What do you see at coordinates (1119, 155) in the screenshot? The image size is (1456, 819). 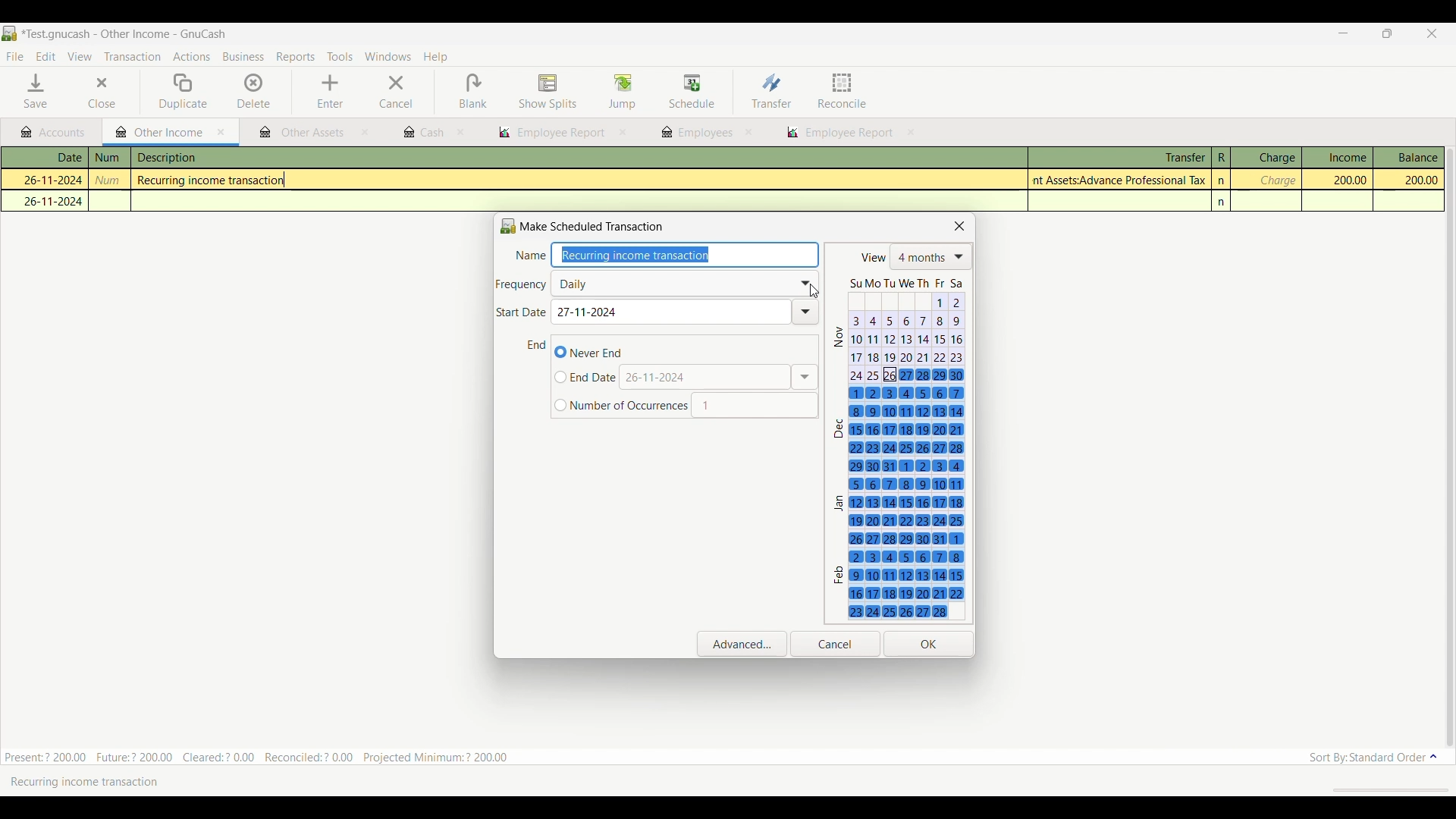 I see `Transfer column` at bounding box center [1119, 155].